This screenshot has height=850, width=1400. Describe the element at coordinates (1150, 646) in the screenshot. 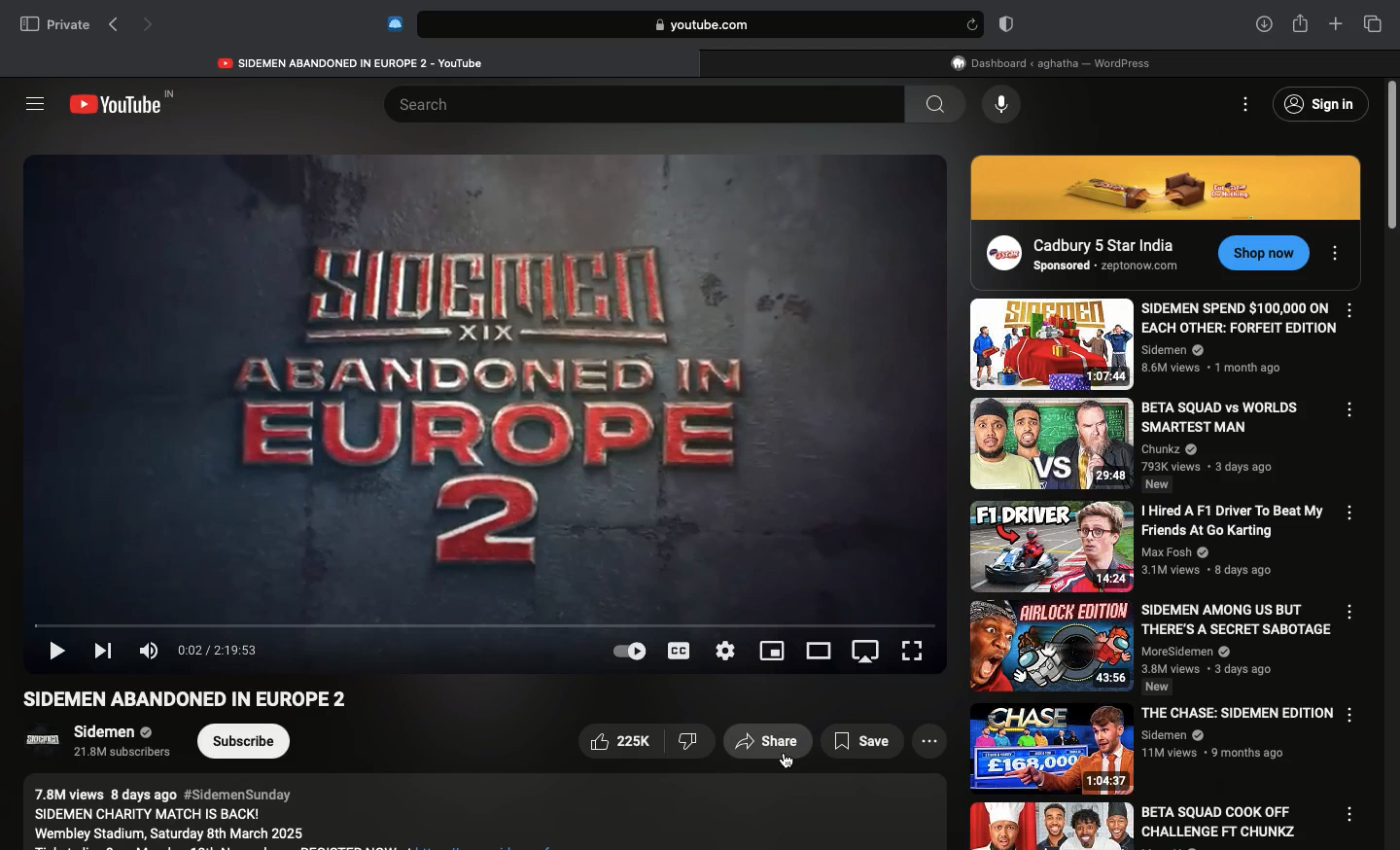

I see `Video name` at that location.